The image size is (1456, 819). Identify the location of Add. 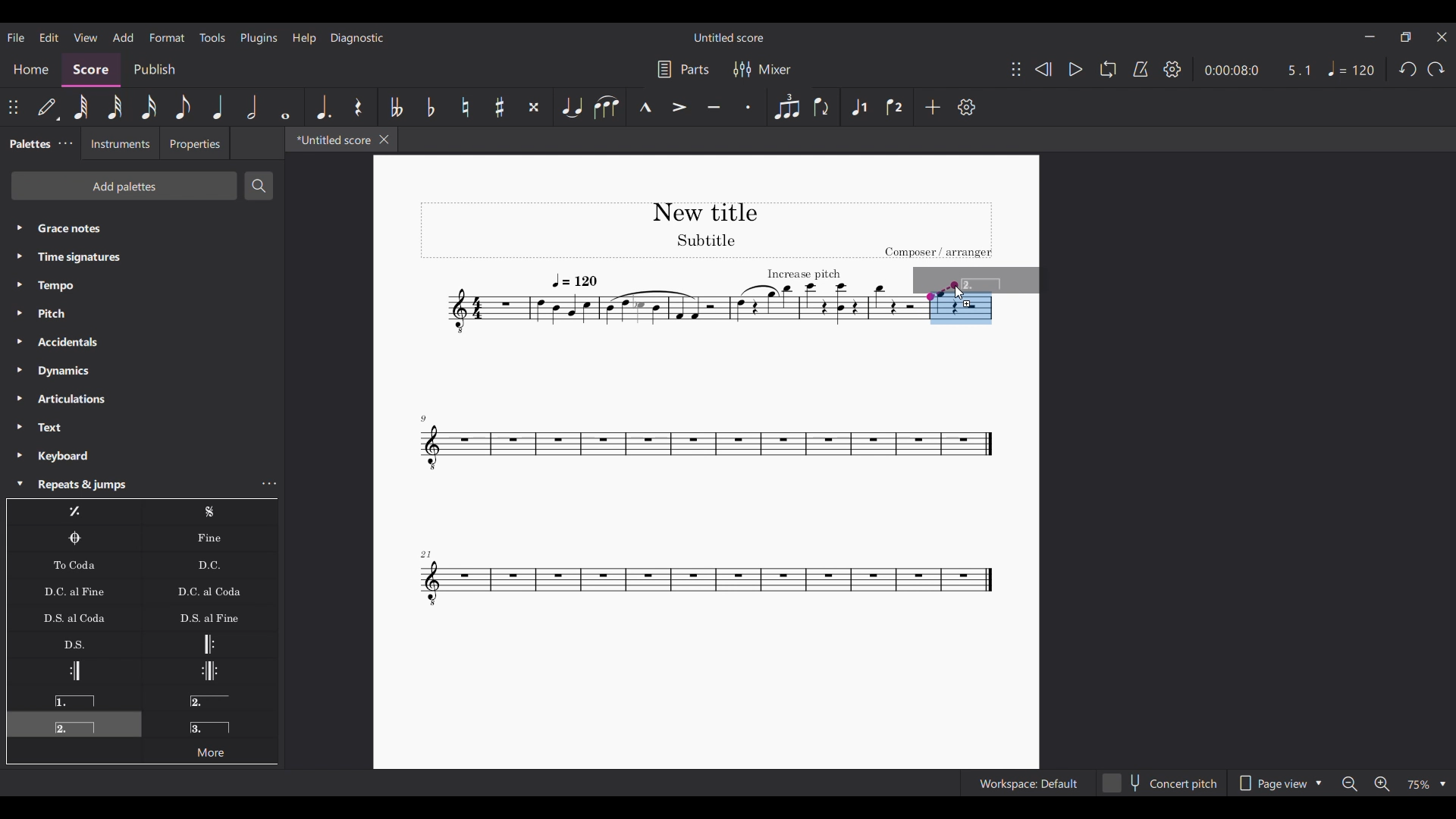
(933, 107).